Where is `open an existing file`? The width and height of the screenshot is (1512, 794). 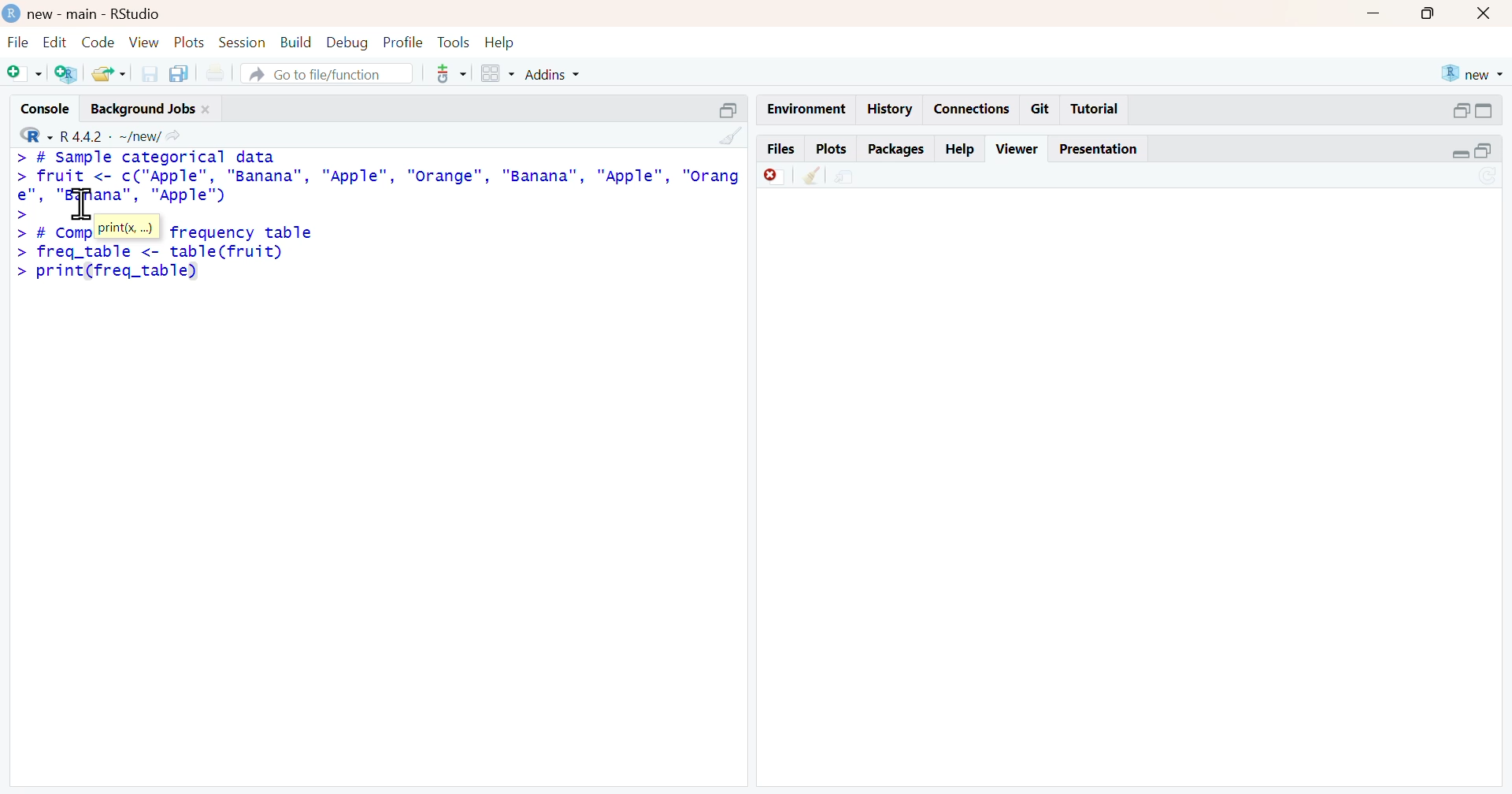
open an existing file is located at coordinates (108, 74).